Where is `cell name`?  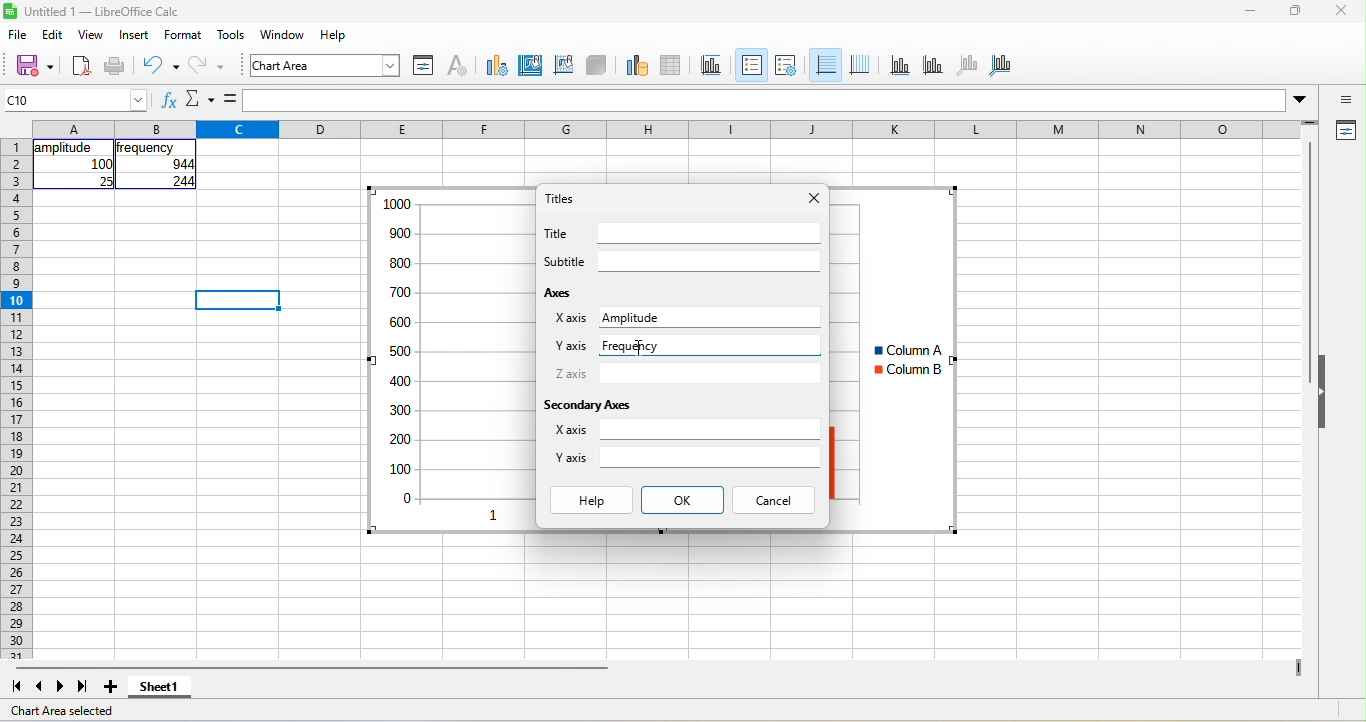
cell name is located at coordinates (74, 100).